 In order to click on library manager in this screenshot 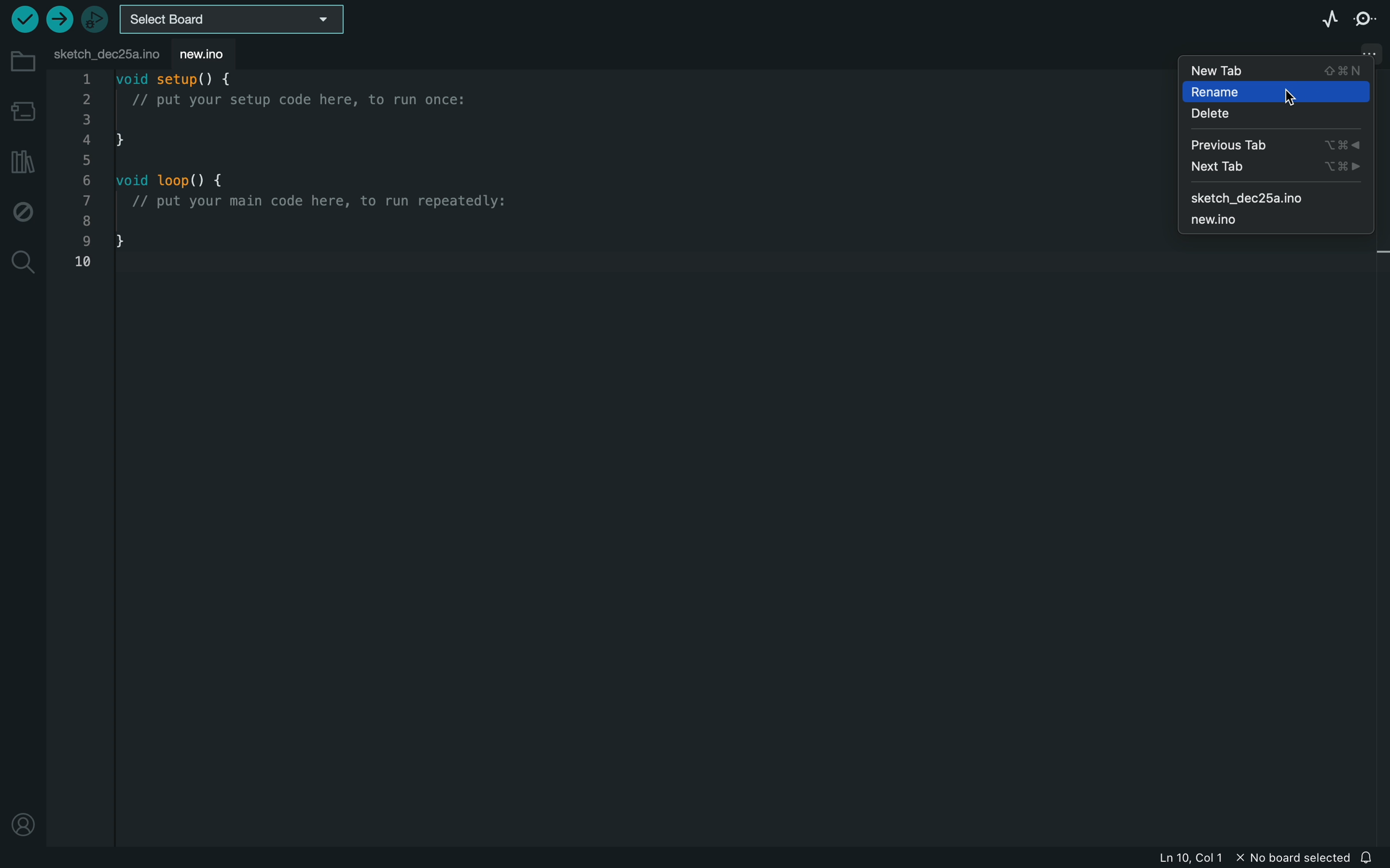, I will do `click(20, 161)`.